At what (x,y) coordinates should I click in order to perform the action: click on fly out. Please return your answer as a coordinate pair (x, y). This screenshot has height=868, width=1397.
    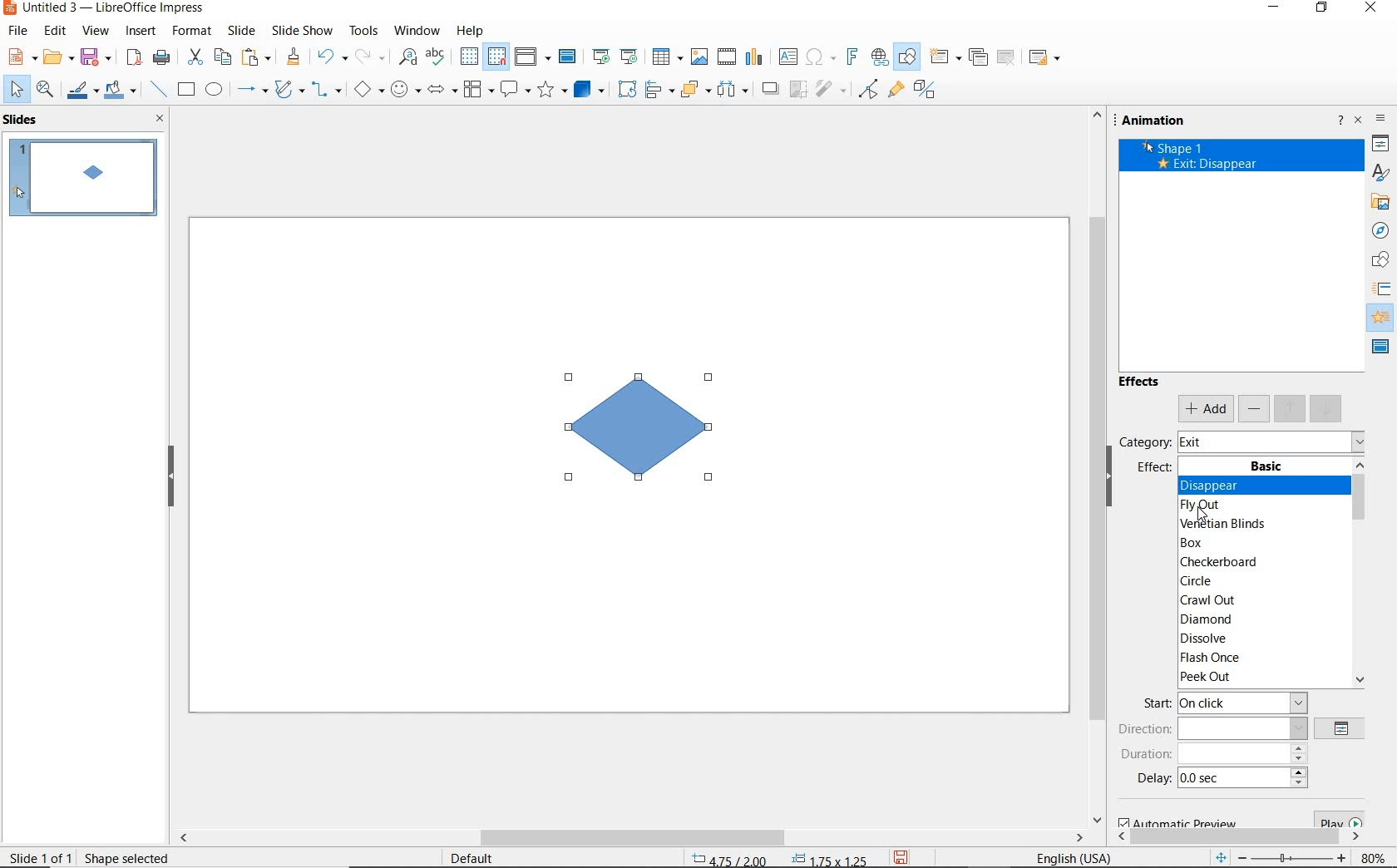
    Looking at the image, I should click on (1258, 506).